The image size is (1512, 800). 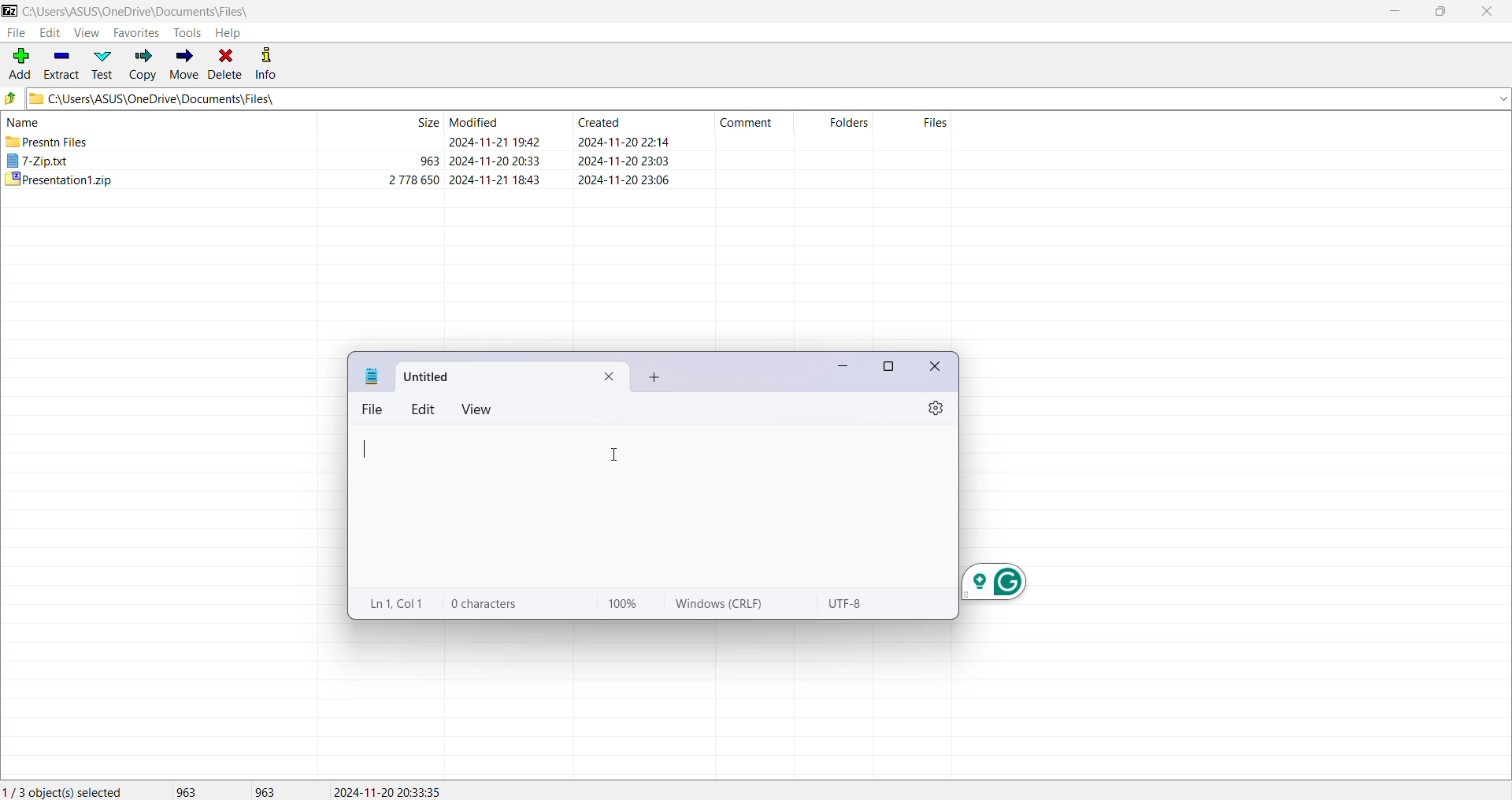 I want to click on view, so click(x=475, y=409).